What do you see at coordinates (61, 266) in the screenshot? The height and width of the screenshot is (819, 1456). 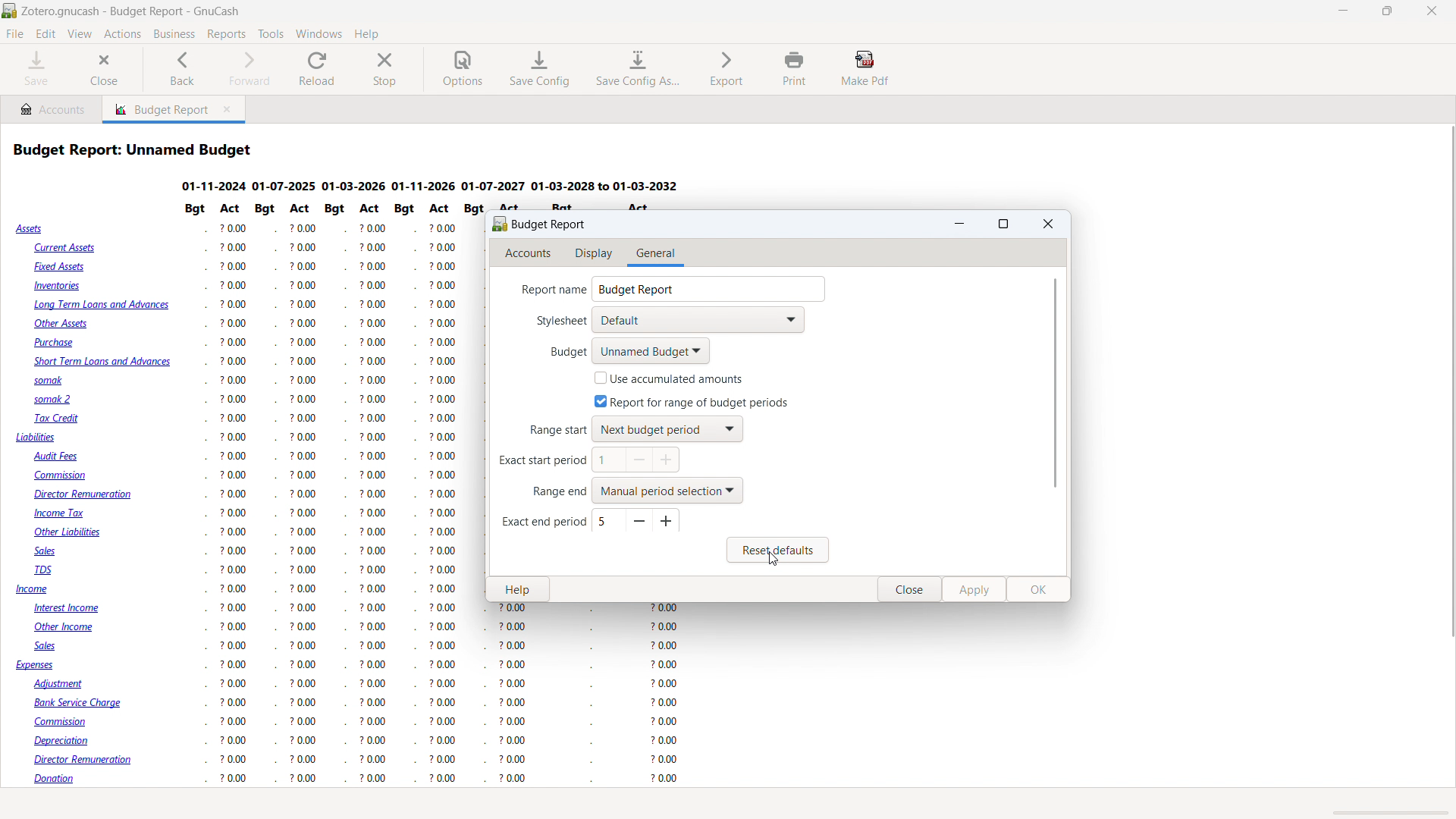 I see `Fixed Assets` at bounding box center [61, 266].